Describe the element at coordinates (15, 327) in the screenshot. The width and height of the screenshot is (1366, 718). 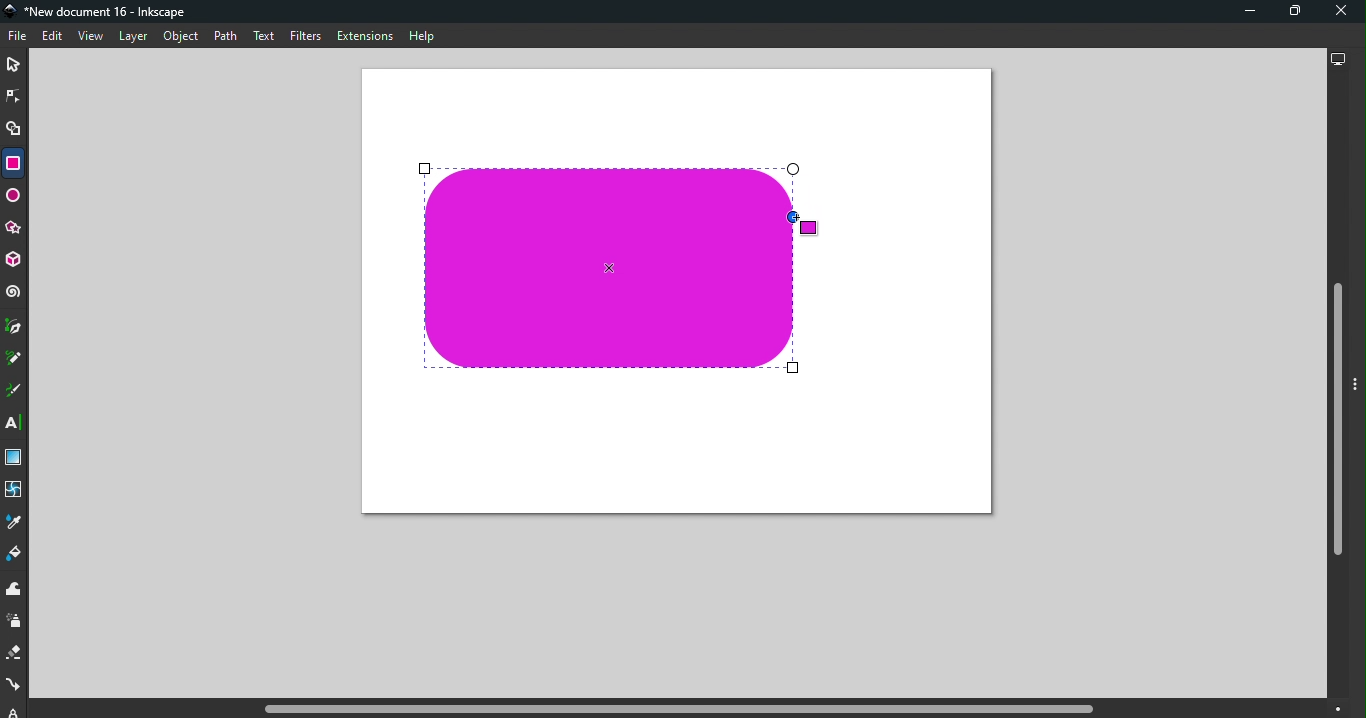
I see `Pen tool` at that location.